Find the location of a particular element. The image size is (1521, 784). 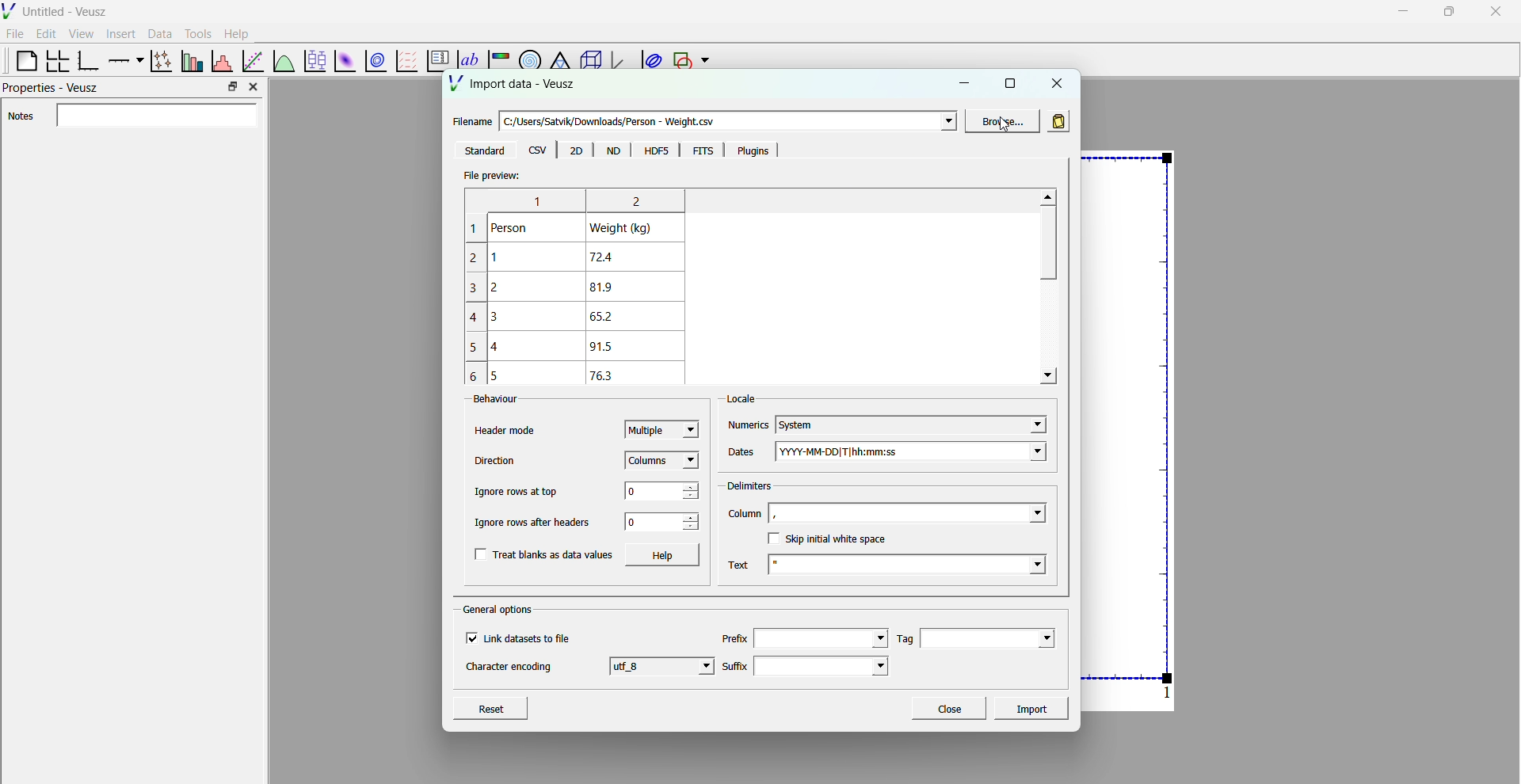

logo of Veusz is located at coordinates (10, 10).